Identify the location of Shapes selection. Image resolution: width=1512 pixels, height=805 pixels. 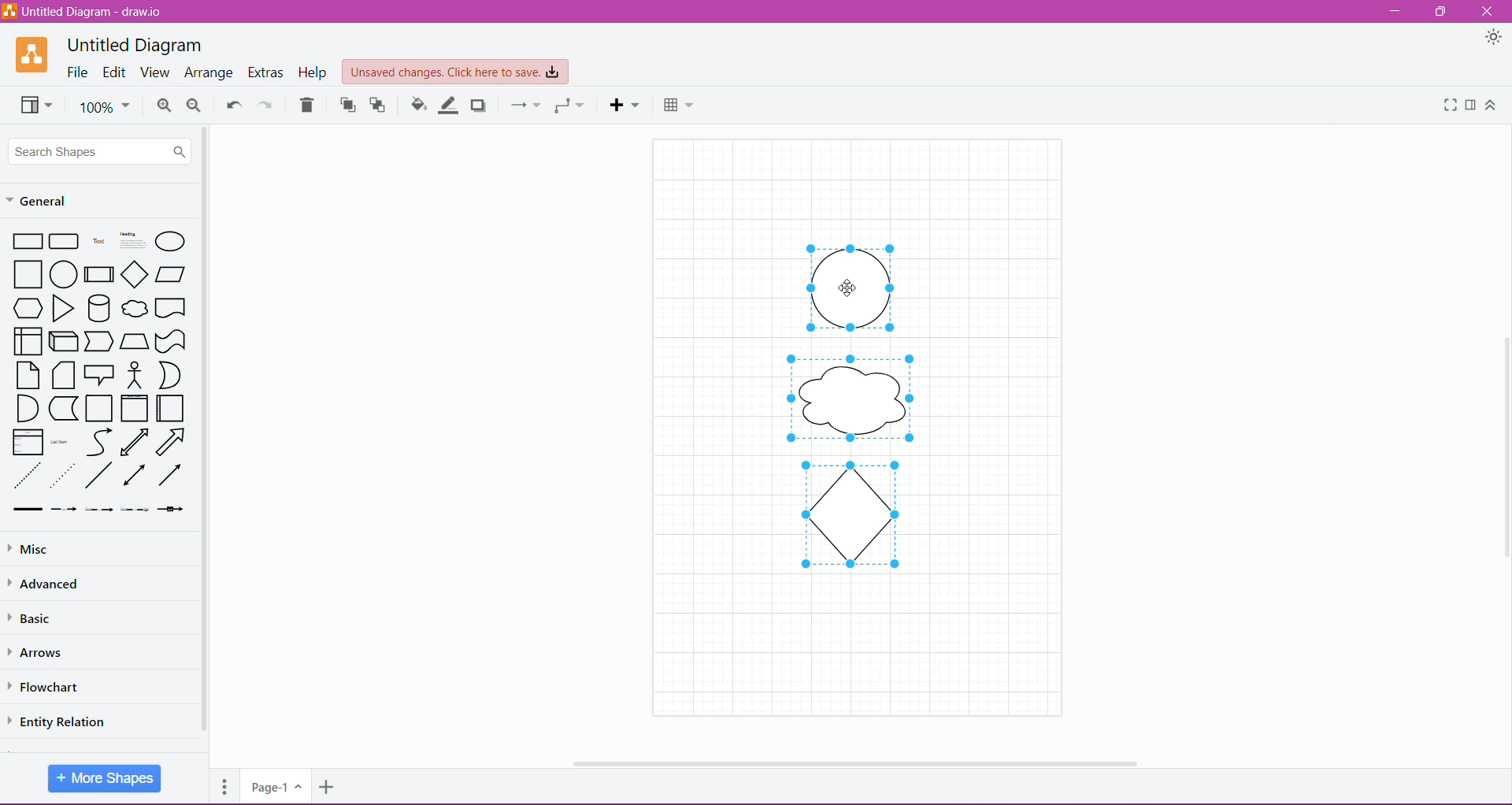
(850, 406).